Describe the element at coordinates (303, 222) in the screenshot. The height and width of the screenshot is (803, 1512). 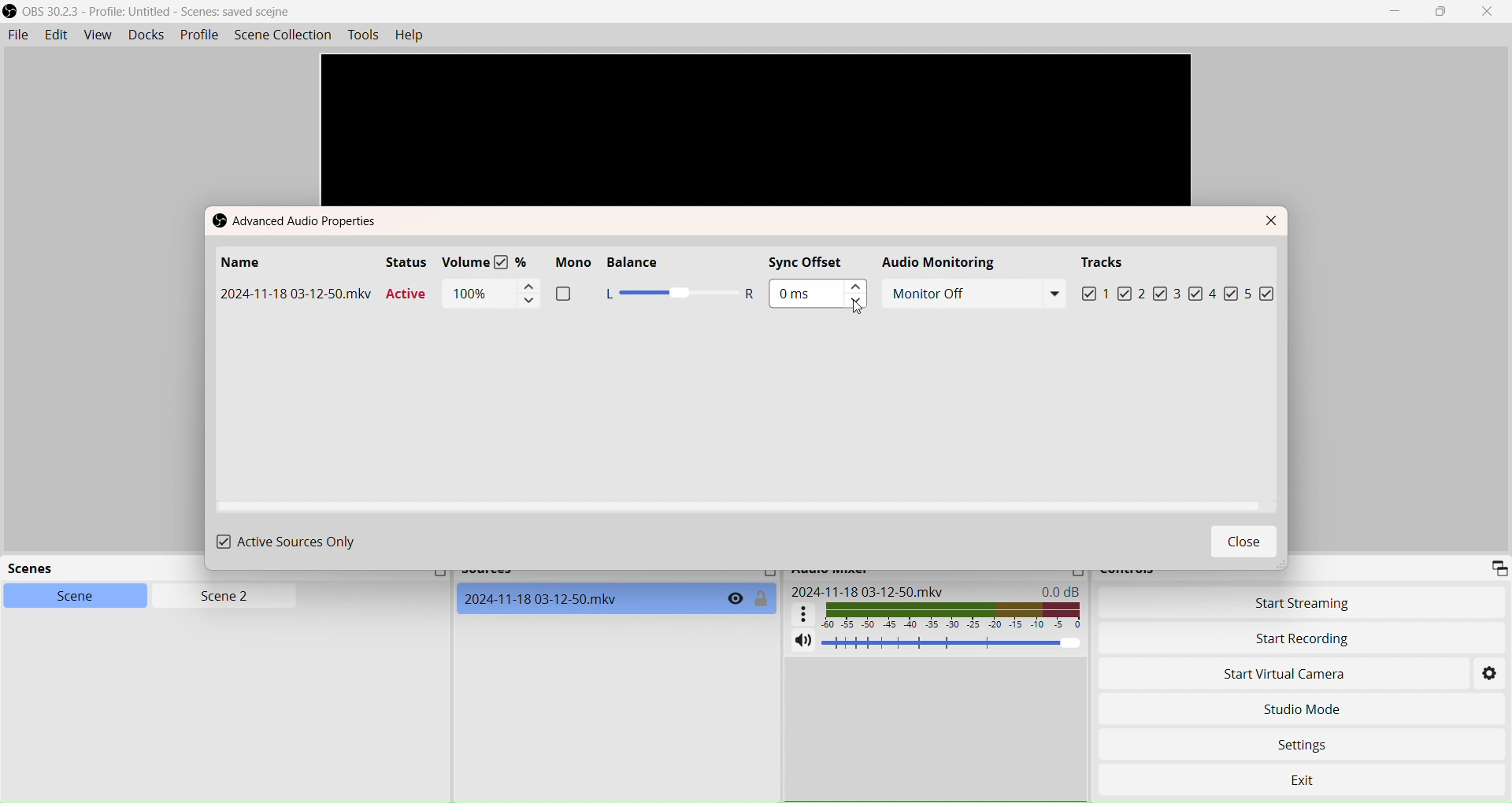
I see `Advance Audio properties` at that location.